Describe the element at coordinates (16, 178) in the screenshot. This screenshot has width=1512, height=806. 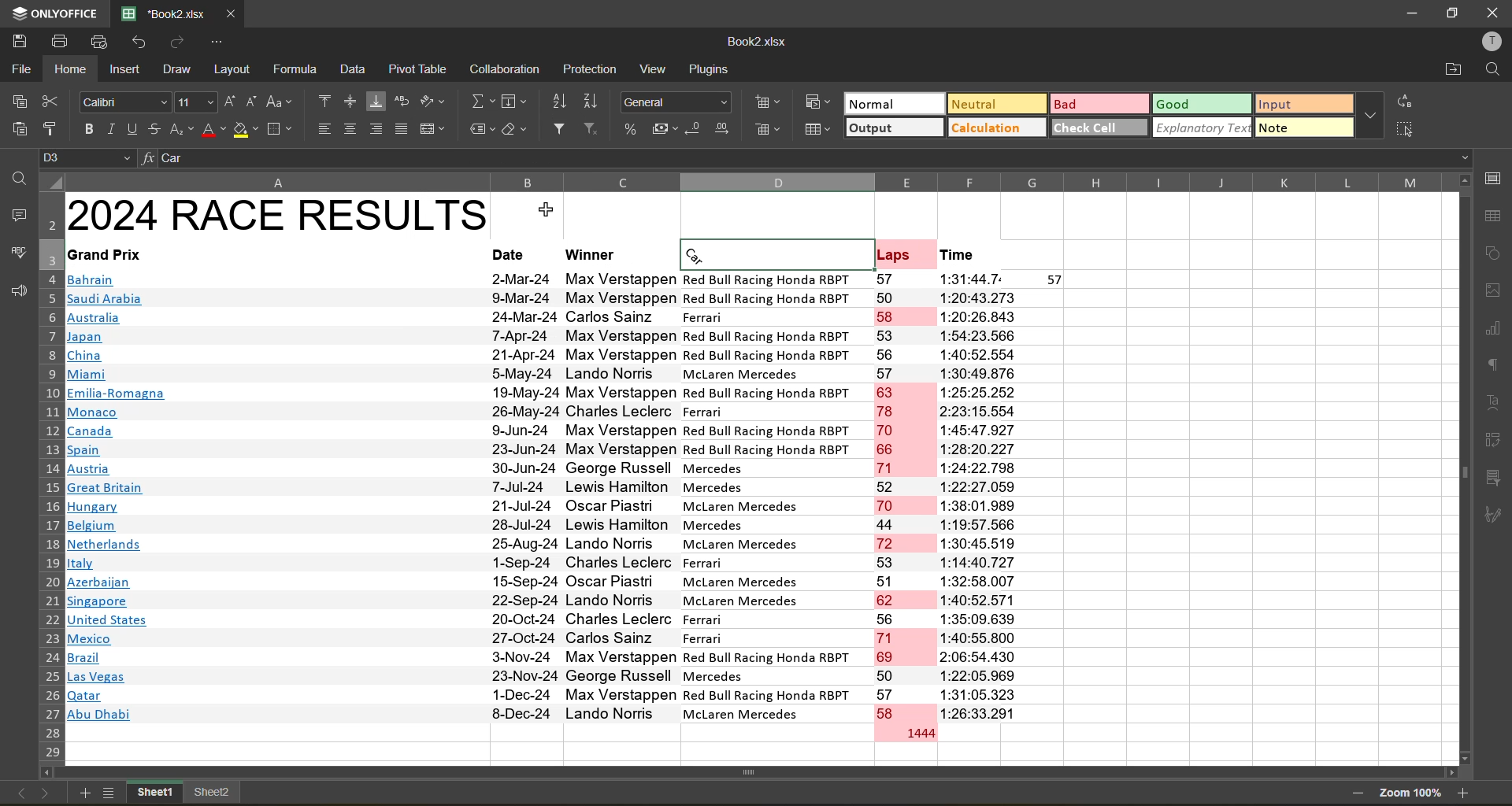
I see `find` at that location.